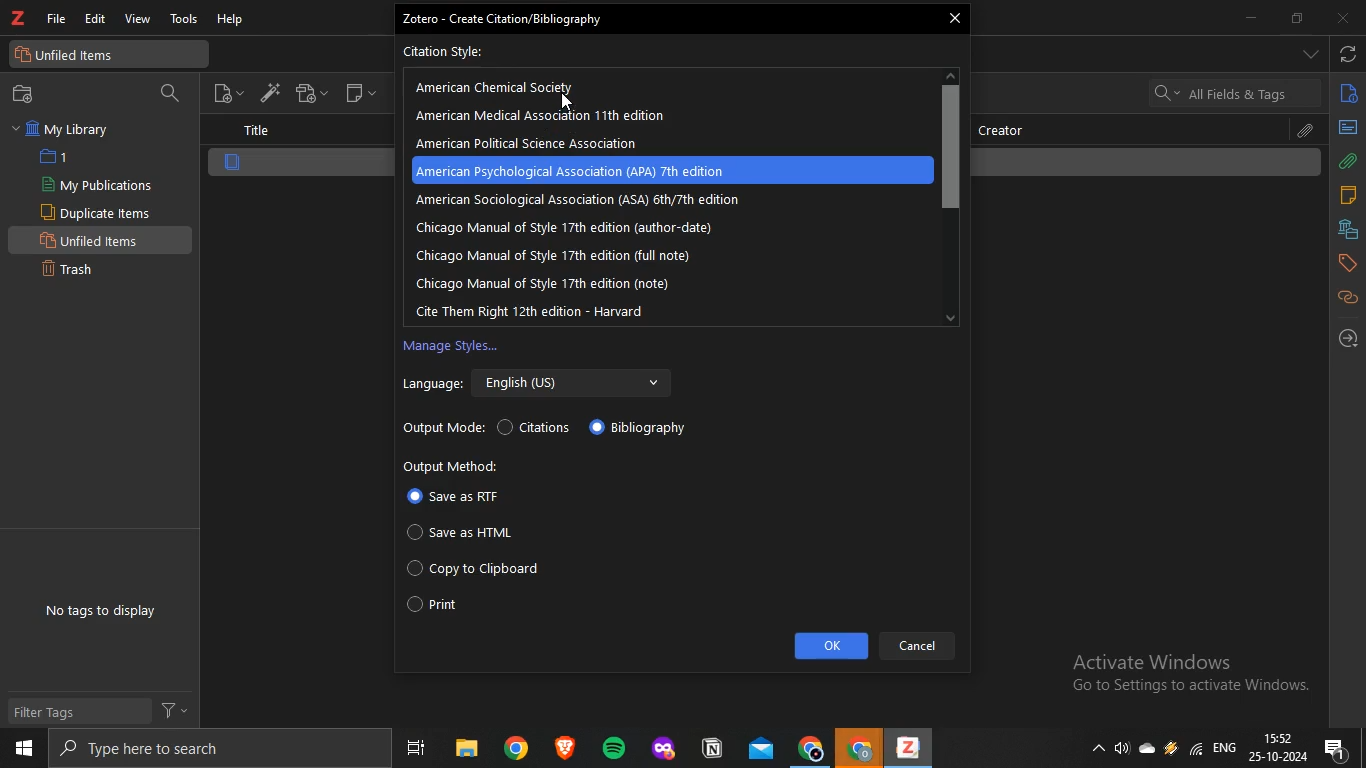 The width and height of the screenshot is (1366, 768). I want to click on abstract, so click(1347, 127).